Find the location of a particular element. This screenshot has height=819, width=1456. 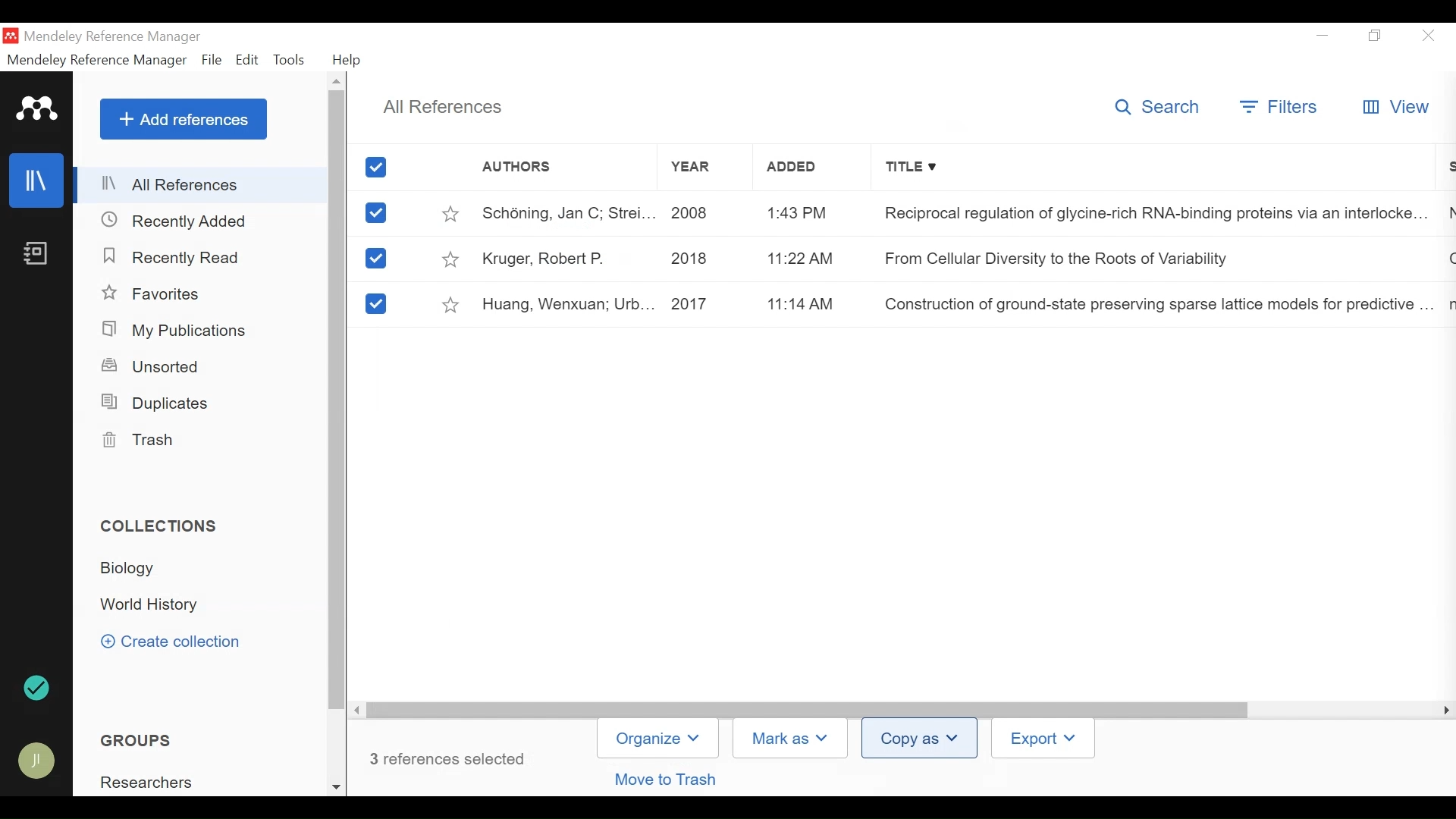

11:14 AM is located at coordinates (804, 303).